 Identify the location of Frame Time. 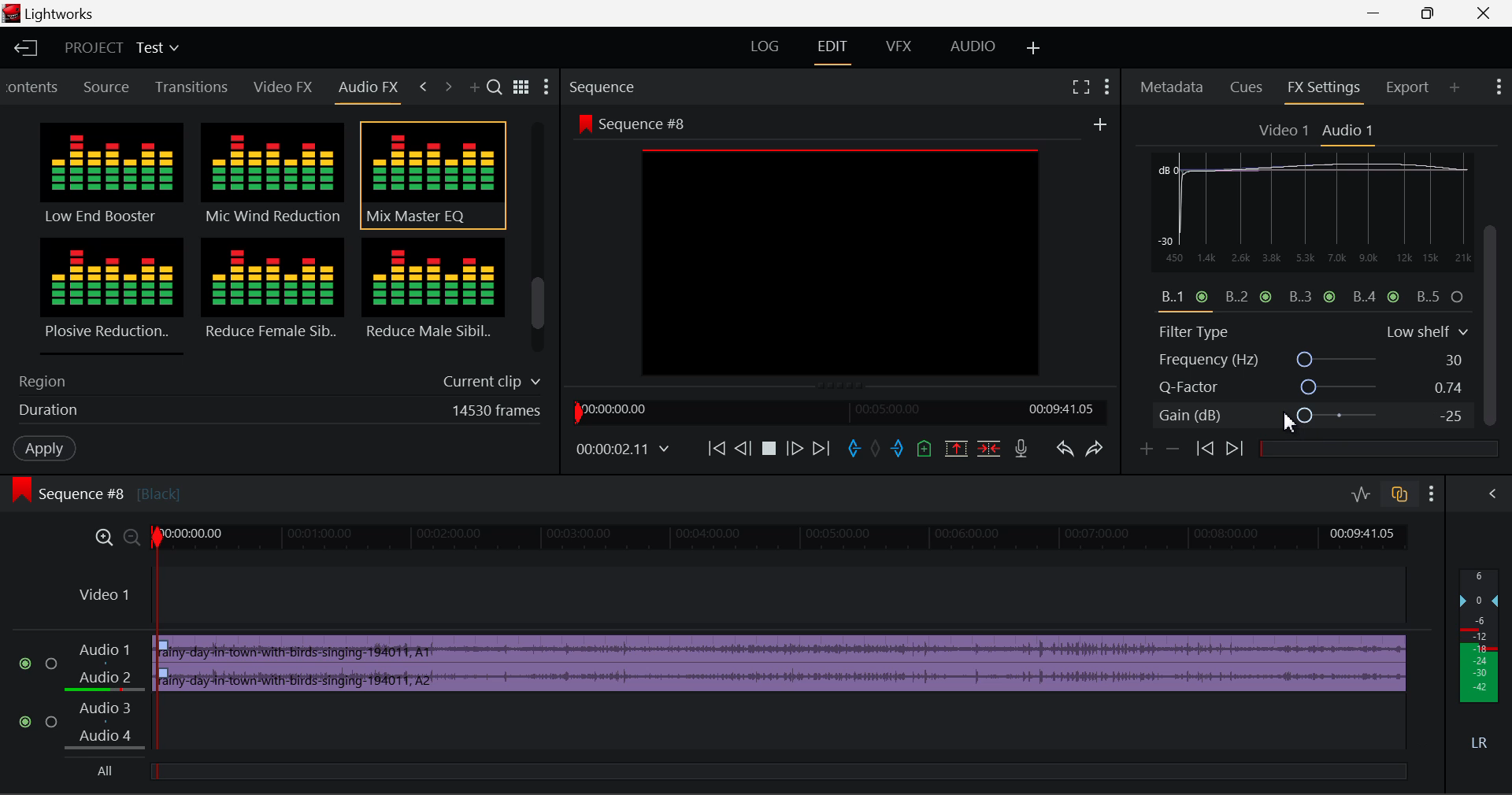
(621, 449).